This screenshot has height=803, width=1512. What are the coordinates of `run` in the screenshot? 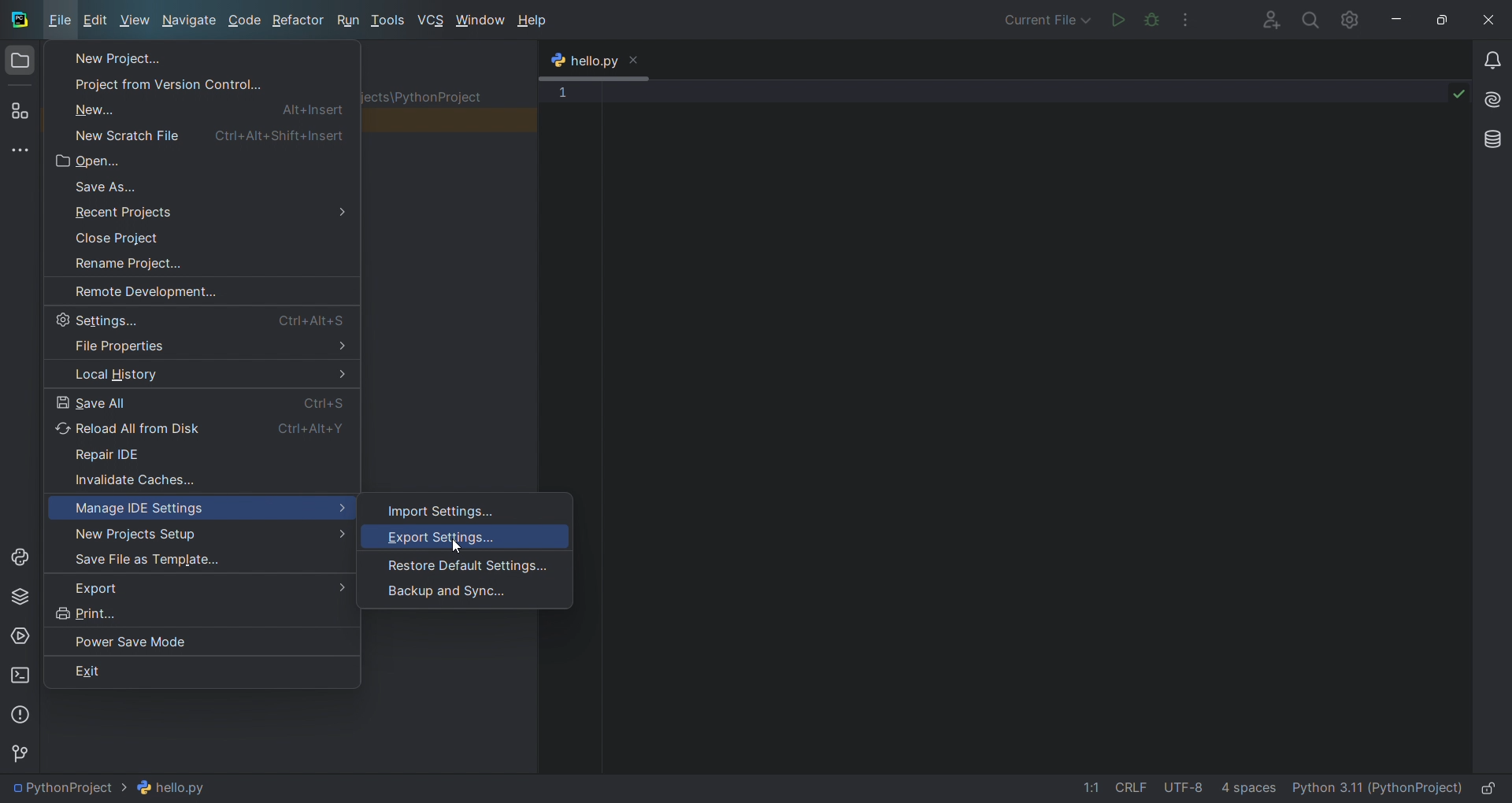 It's located at (1116, 18).